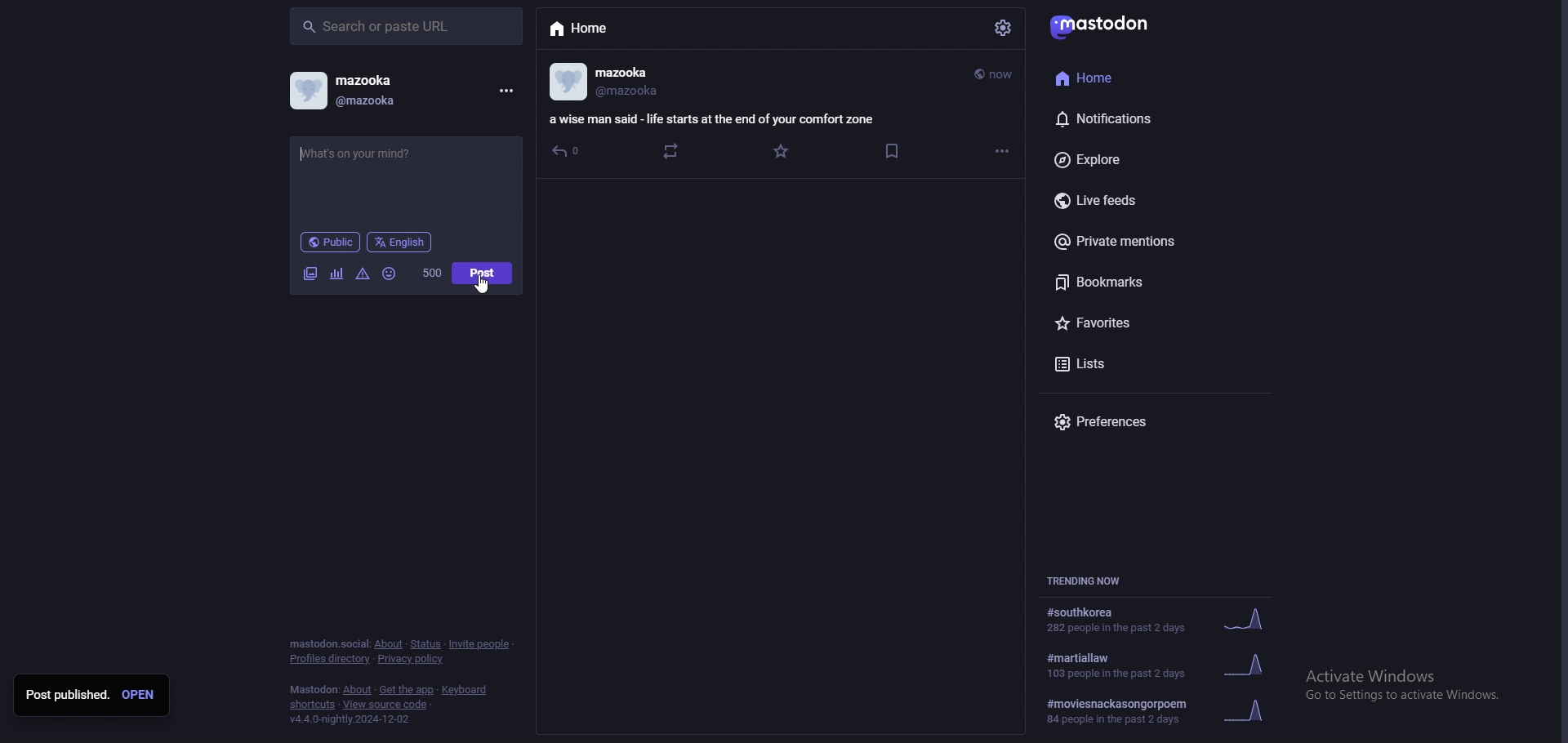 The height and width of the screenshot is (743, 1568). I want to click on word limit, so click(432, 273).